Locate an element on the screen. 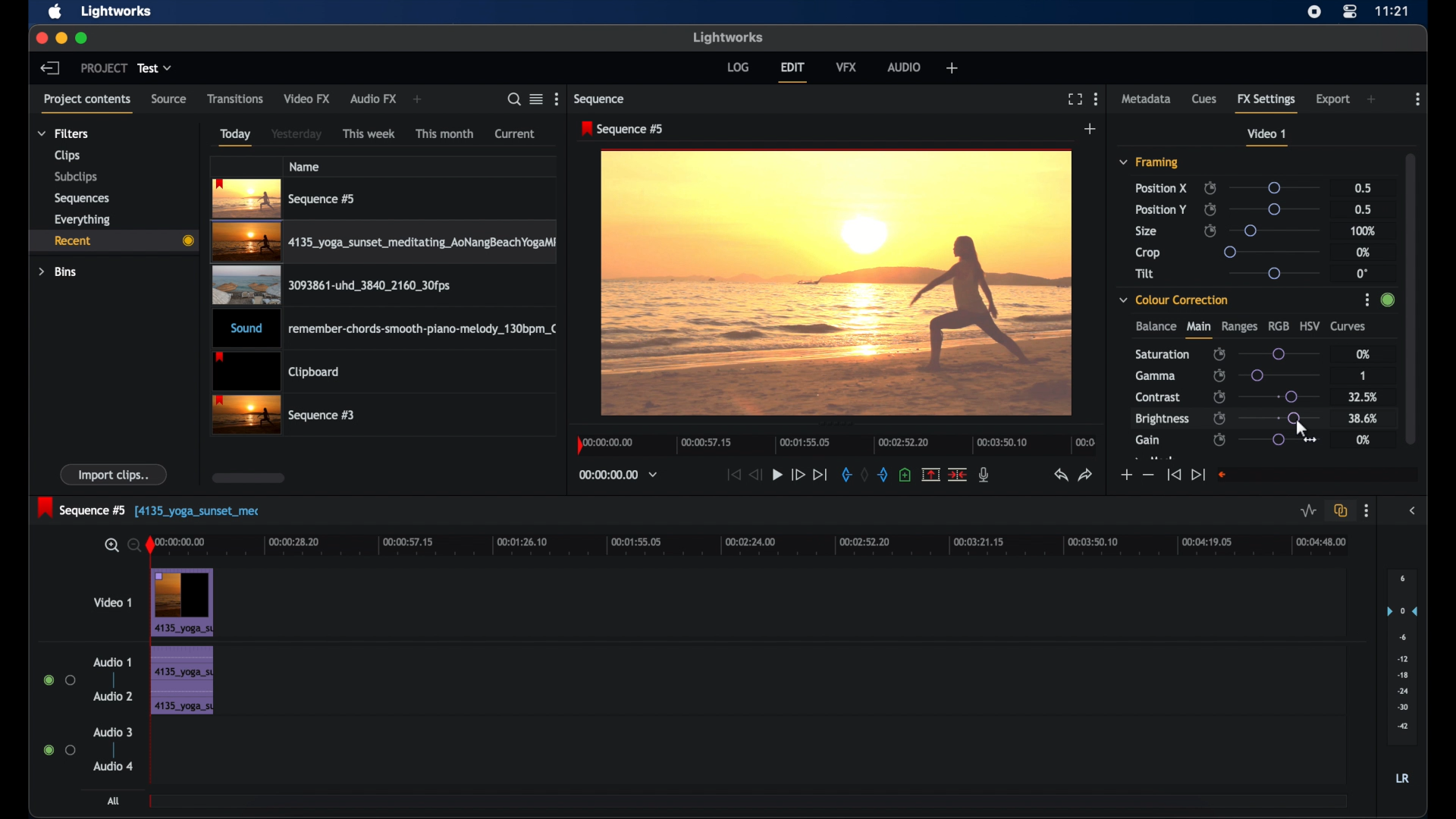 The width and height of the screenshot is (1456, 819). jump to start is located at coordinates (1173, 474).